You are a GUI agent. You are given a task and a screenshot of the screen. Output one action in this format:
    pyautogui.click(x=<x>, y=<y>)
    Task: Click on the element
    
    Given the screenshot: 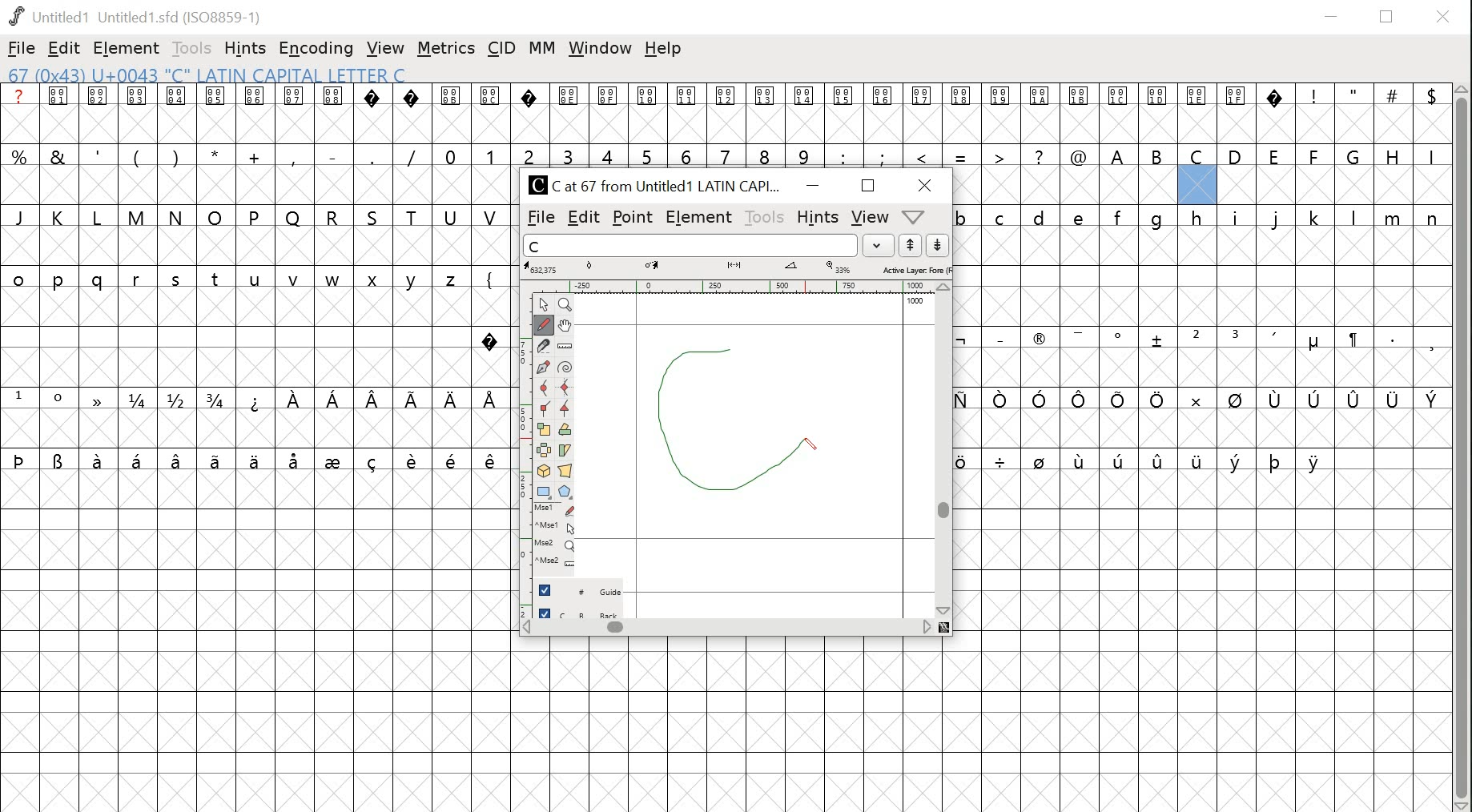 What is the action you would take?
    pyautogui.click(x=126, y=48)
    